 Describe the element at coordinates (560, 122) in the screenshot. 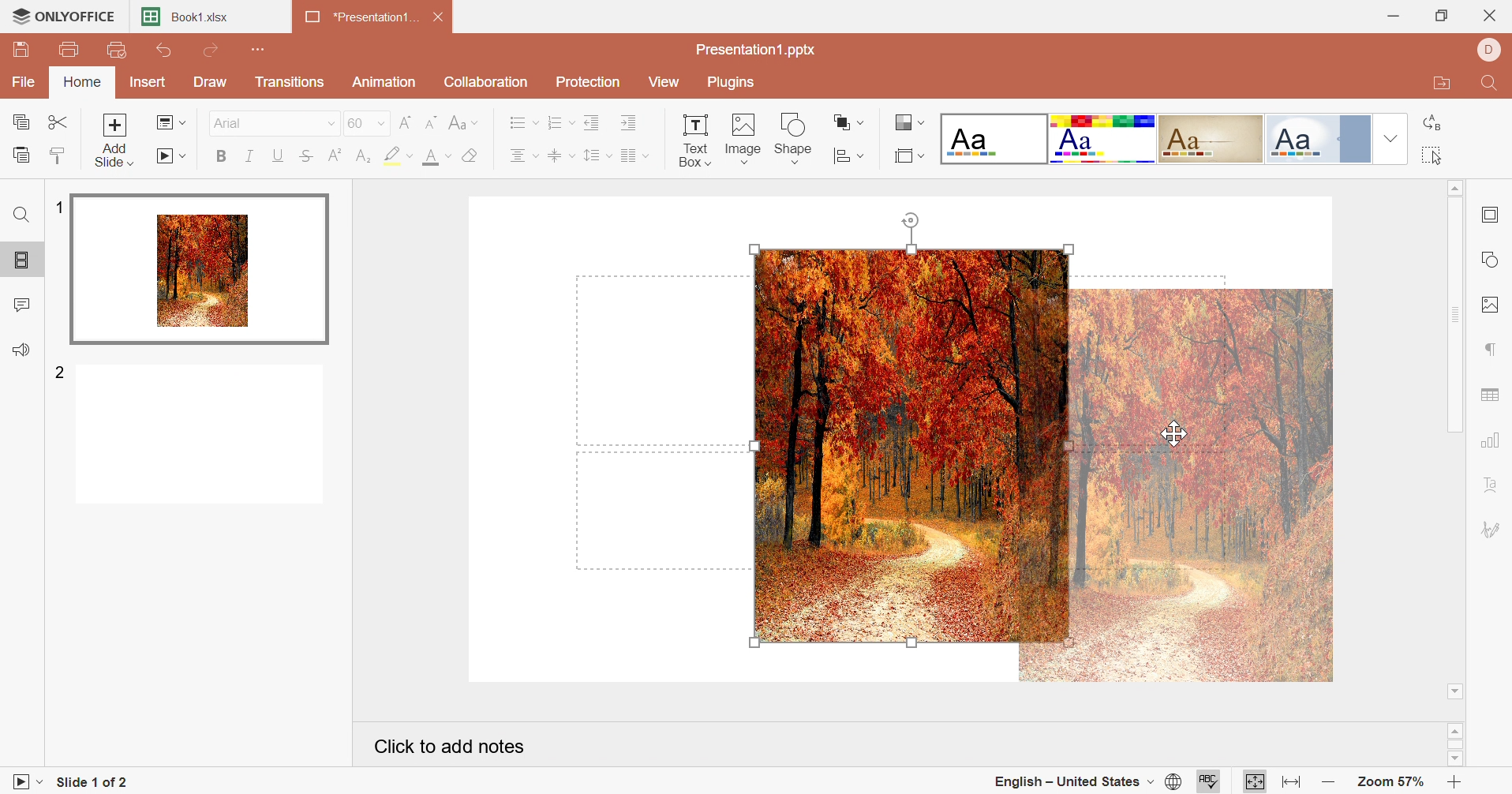

I see `Numbering` at that location.